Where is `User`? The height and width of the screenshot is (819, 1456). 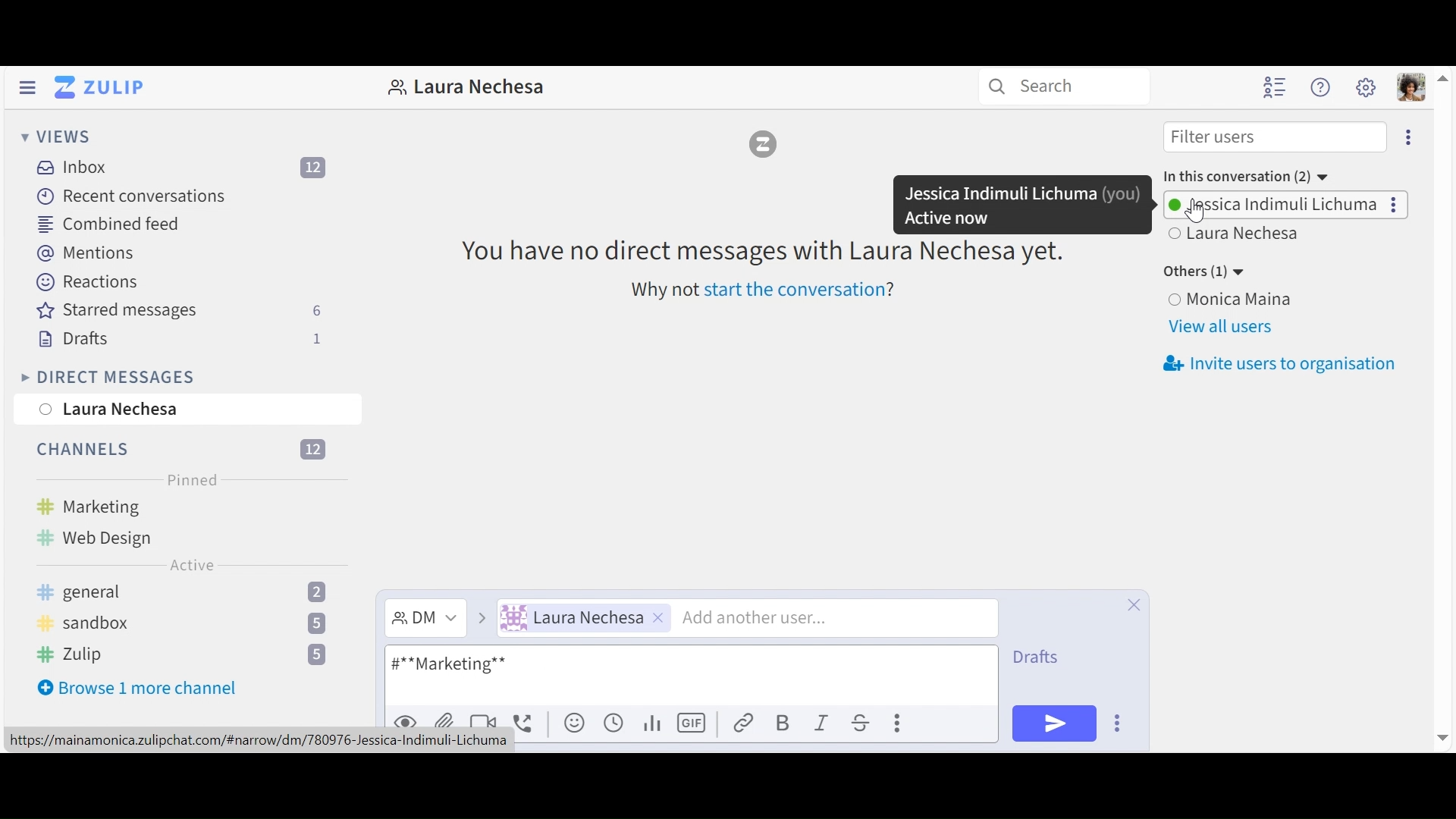 User is located at coordinates (583, 618).